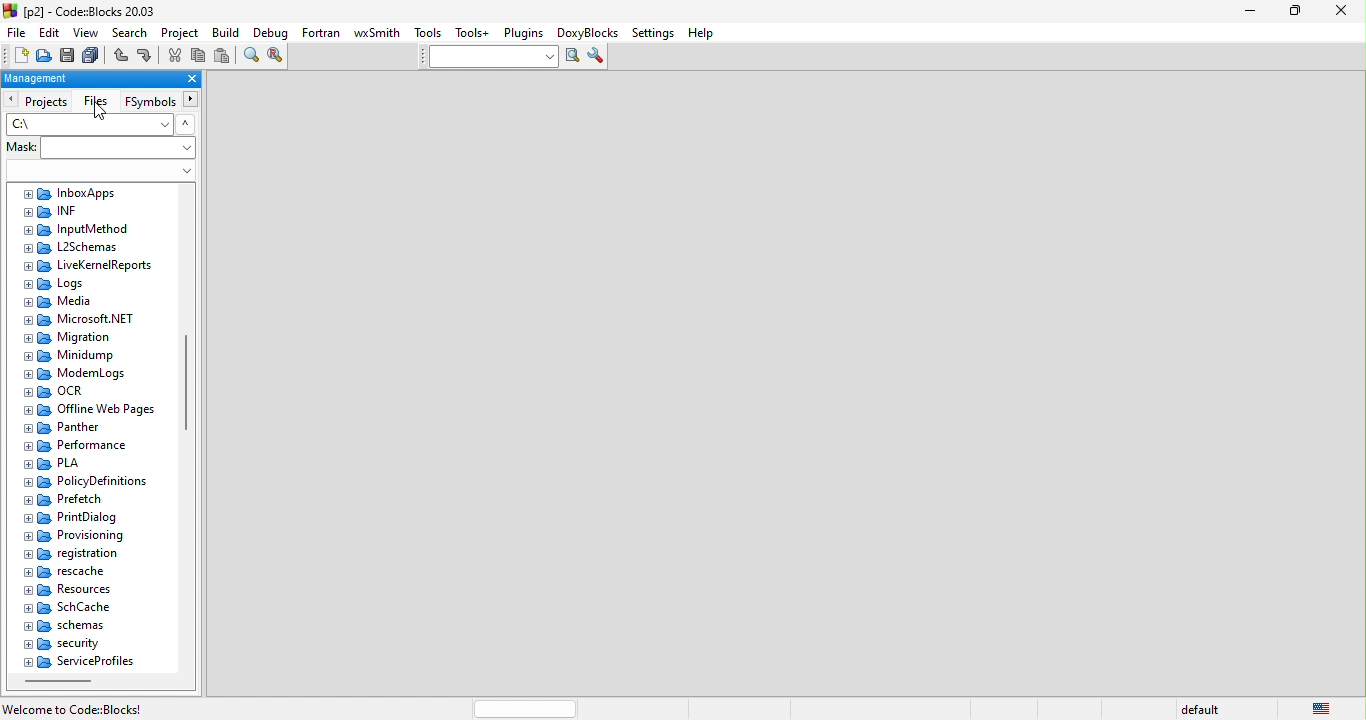  I want to click on redo, so click(146, 55).